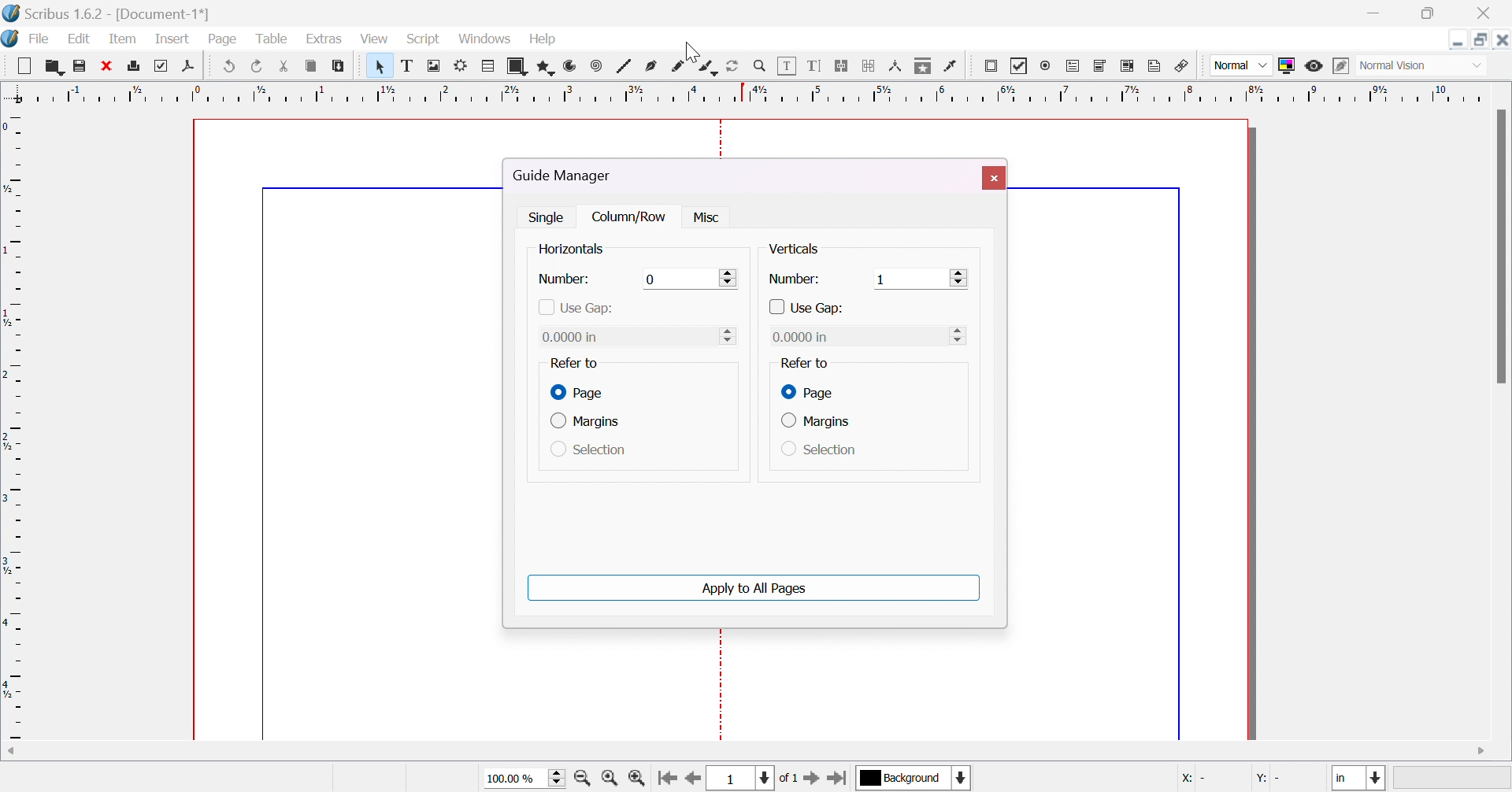 The height and width of the screenshot is (792, 1512). I want to click on go to previous page, so click(693, 779).